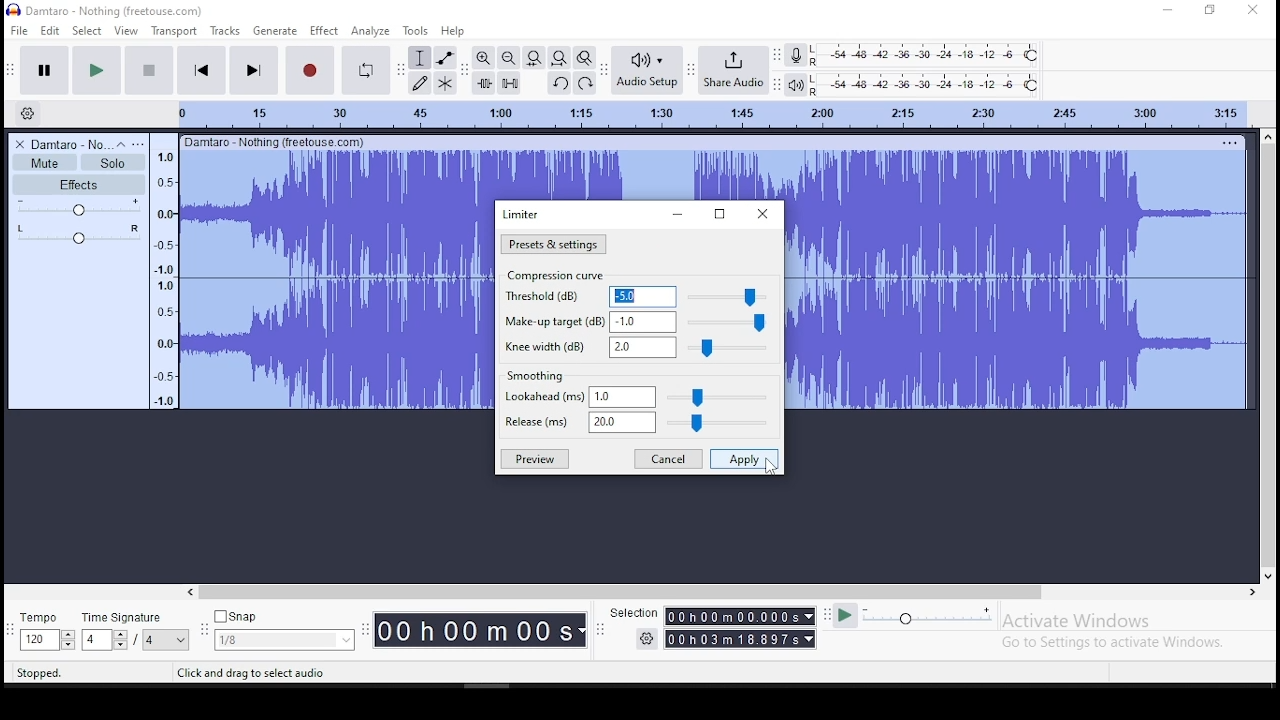 The height and width of the screenshot is (720, 1280). What do you see at coordinates (723, 593) in the screenshot?
I see `scroll bar` at bounding box center [723, 593].